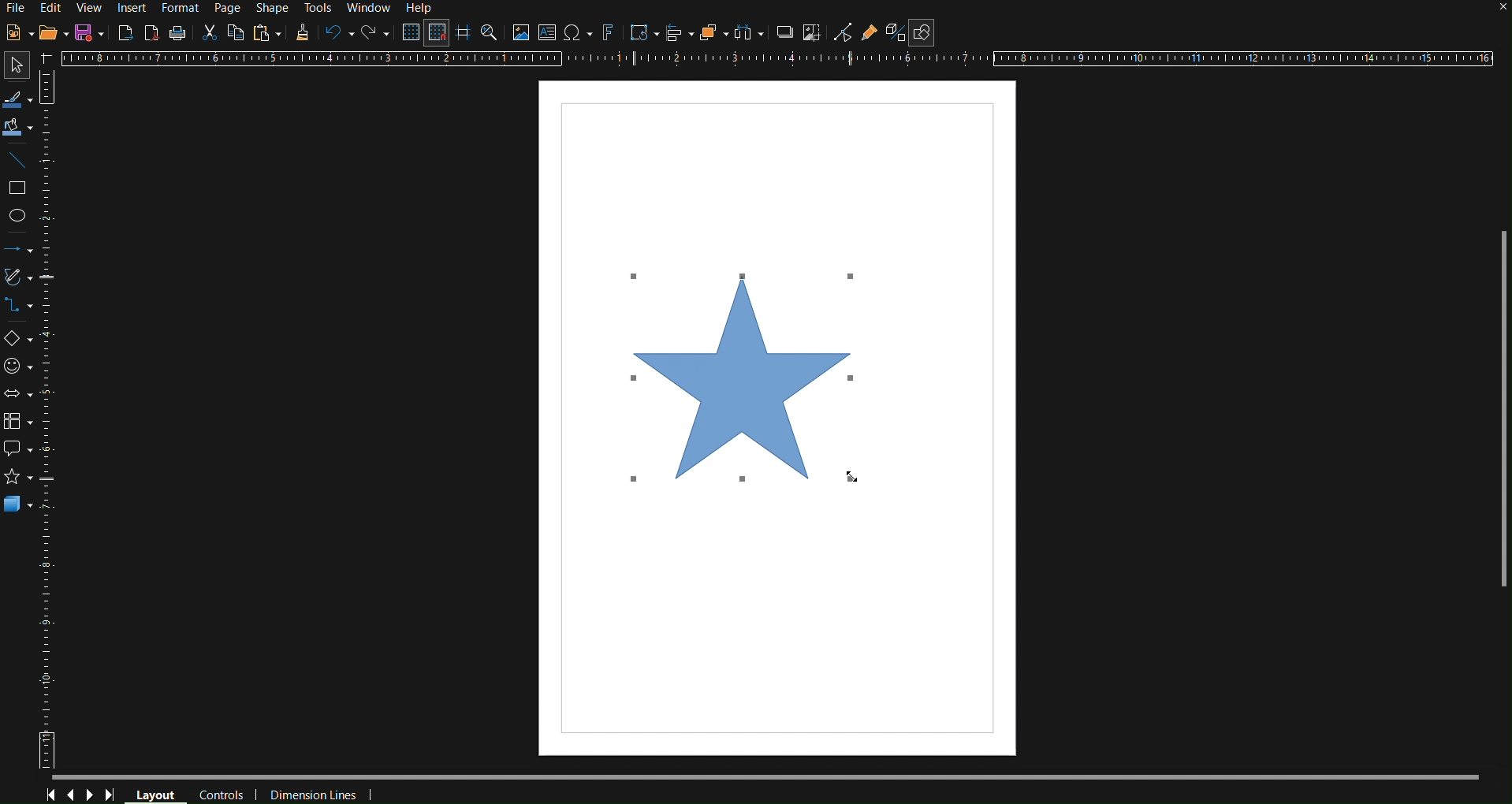 The height and width of the screenshot is (804, 1512). What do you see at coordinates (89, 32) in the screenshot?
I see `Save` at bounding box center [89, 32].